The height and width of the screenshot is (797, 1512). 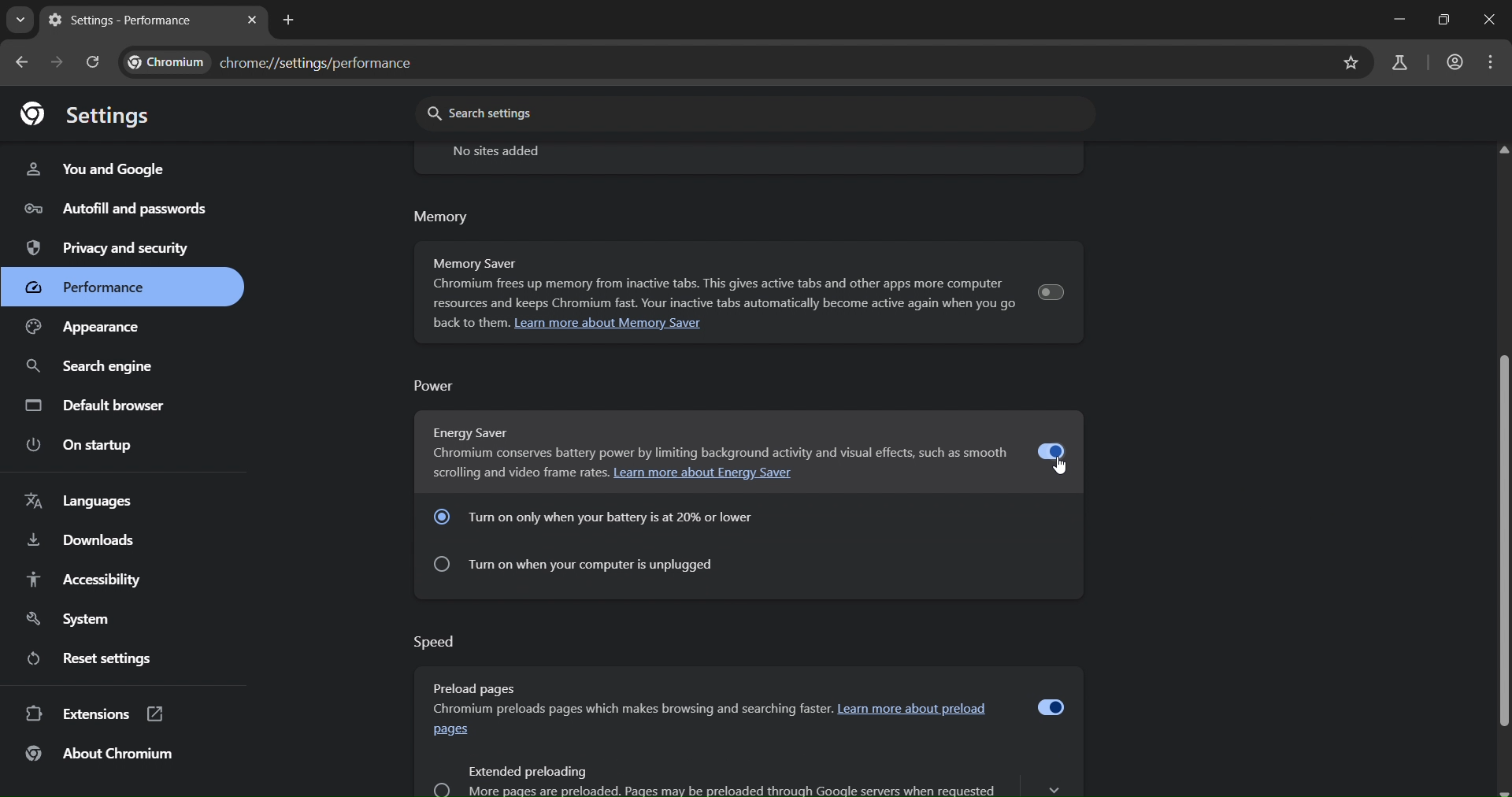 What do you see at coordinates (590, 569) in the screenshot?
I see `turn on when your computer is unpugged` at bounding box center [590, 569].